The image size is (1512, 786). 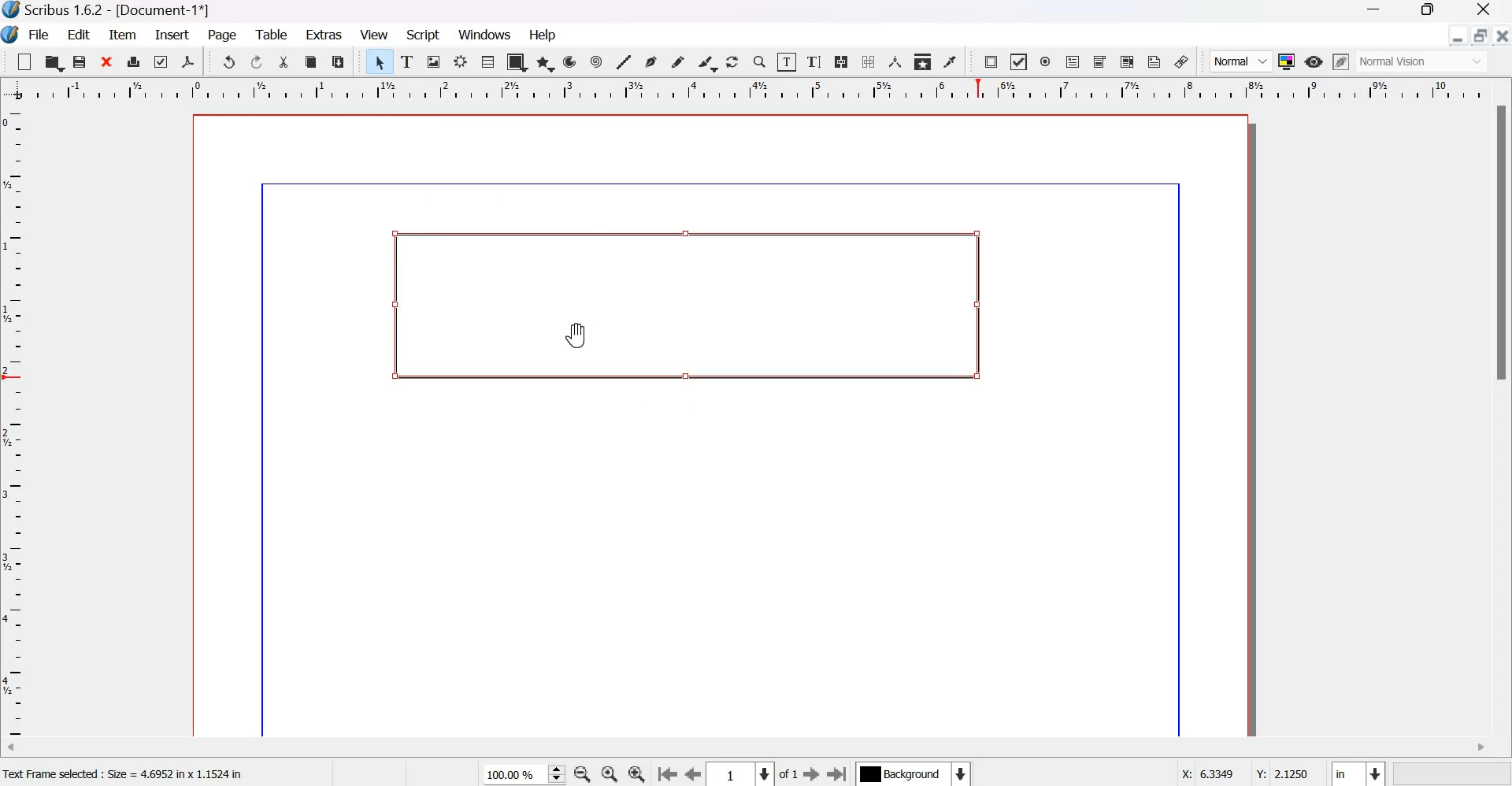 I want to click on Freehand line, so click(x=677, y=62).